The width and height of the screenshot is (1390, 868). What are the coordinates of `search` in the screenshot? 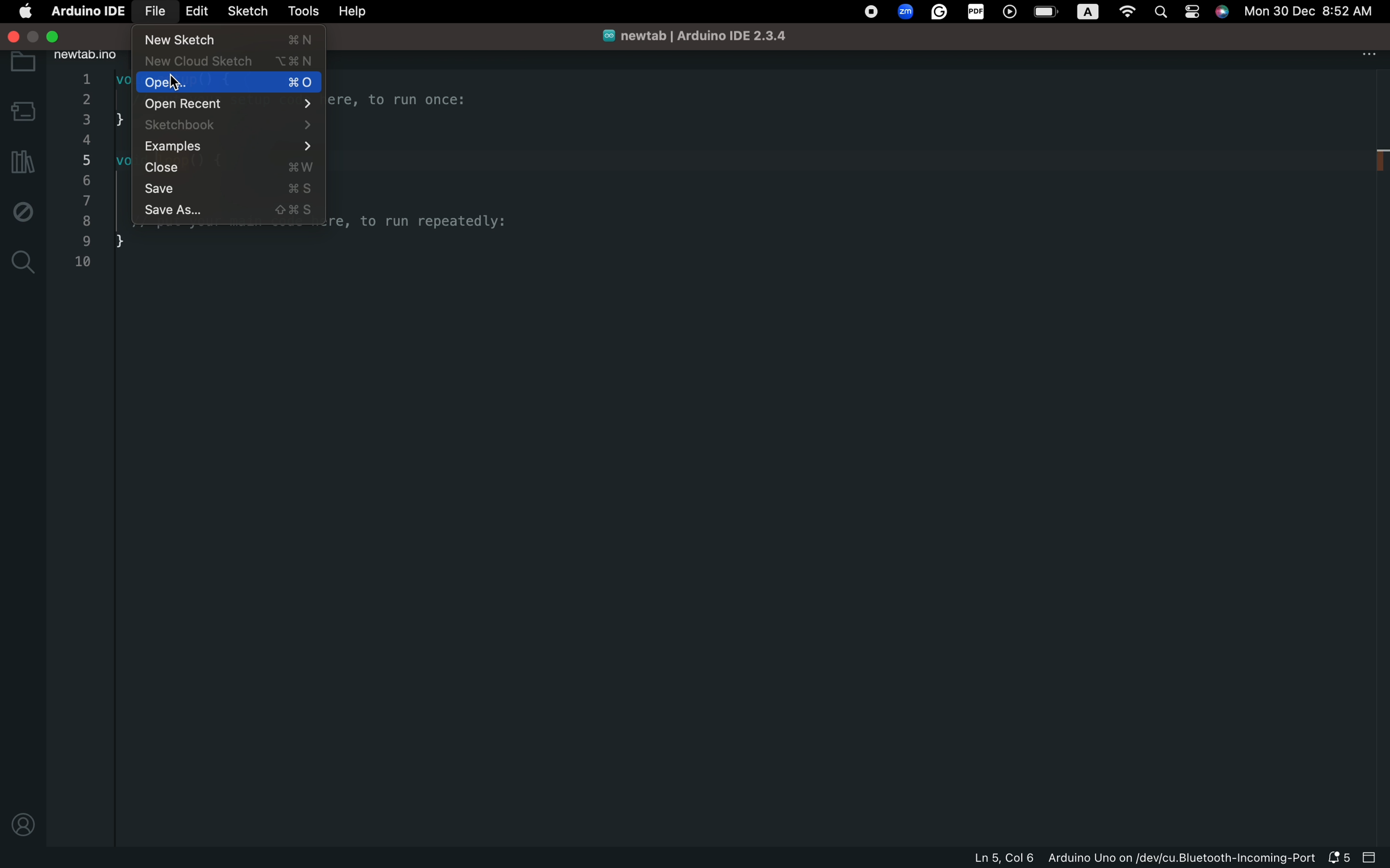 It's located at (21, 259).